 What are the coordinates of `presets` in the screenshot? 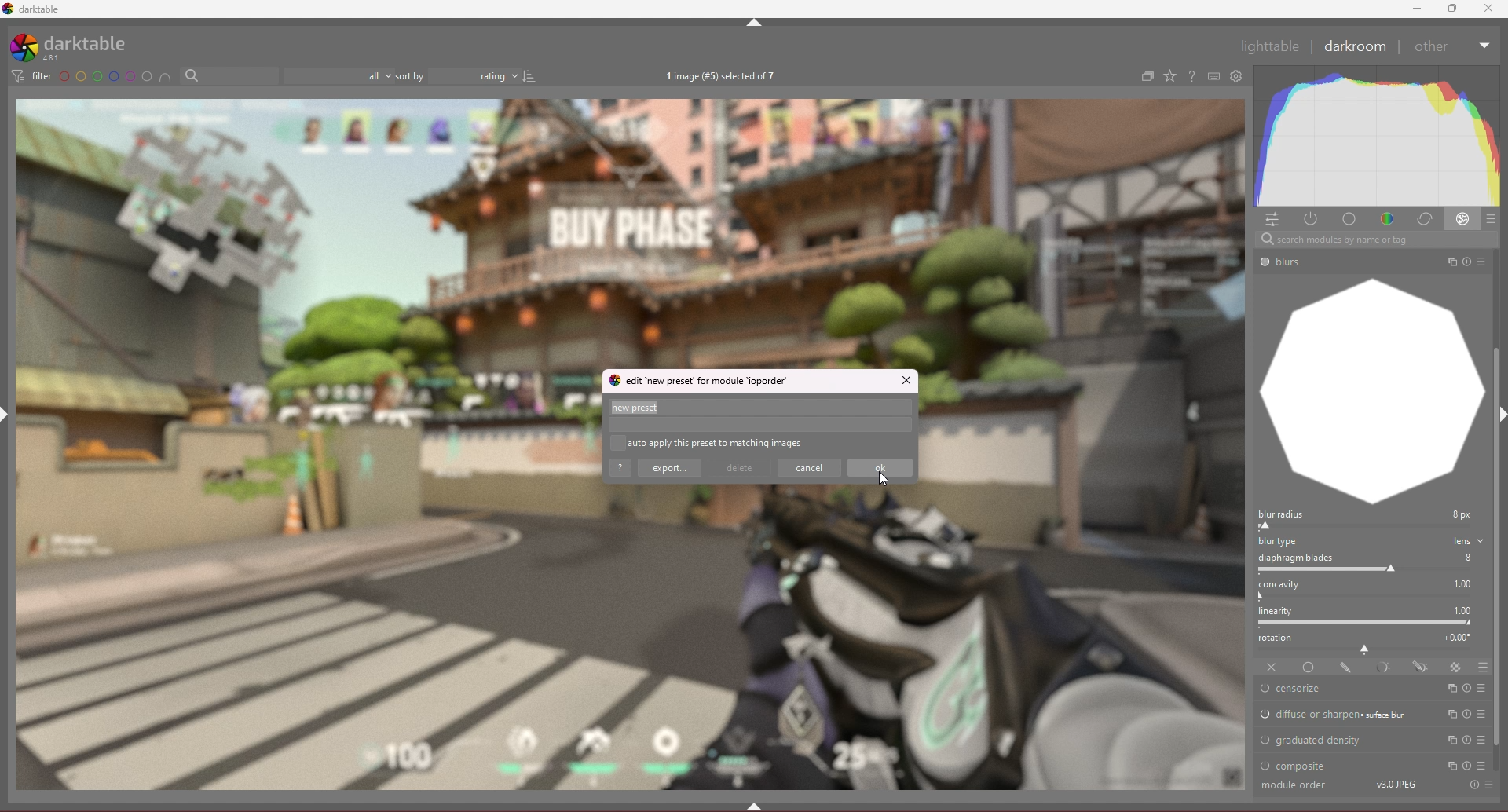 It's located at (1492, 219).